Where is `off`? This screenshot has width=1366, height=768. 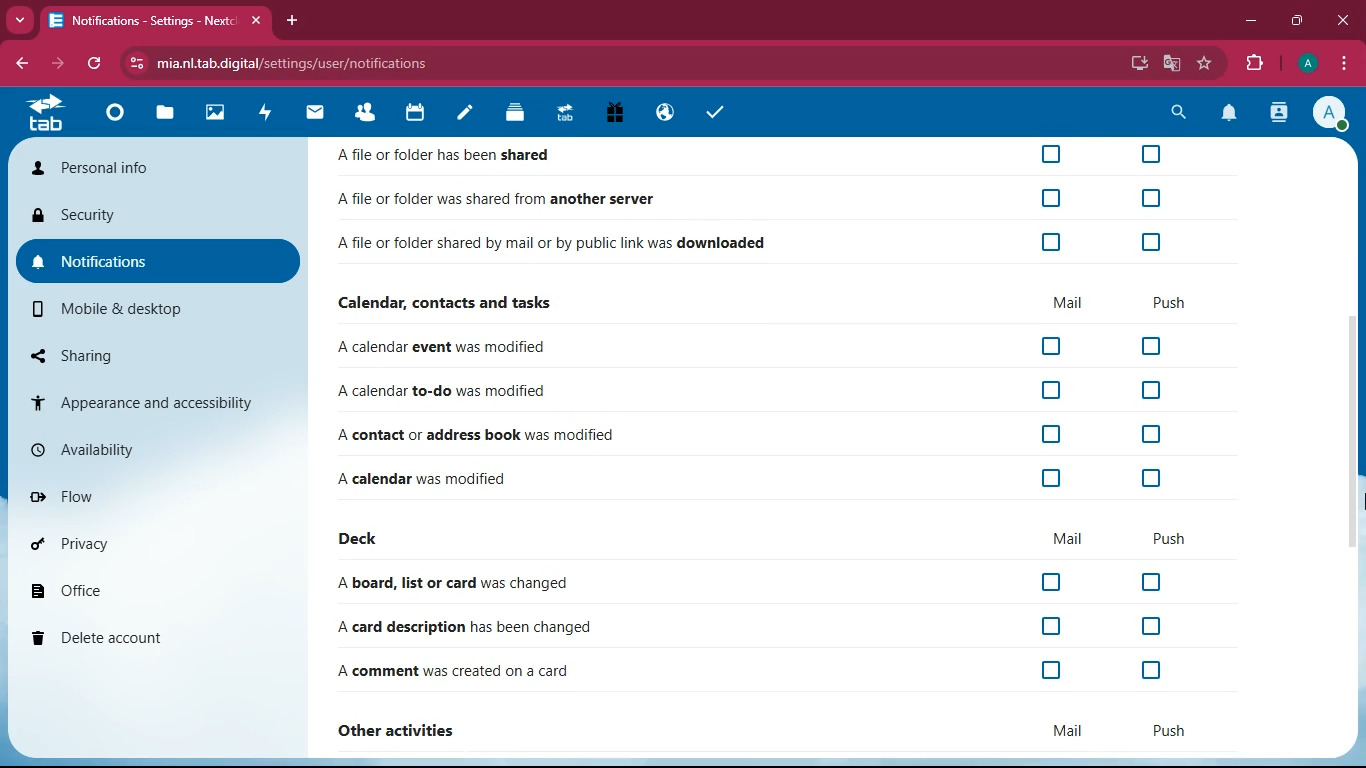
off is located at coordinates (1056, 623).